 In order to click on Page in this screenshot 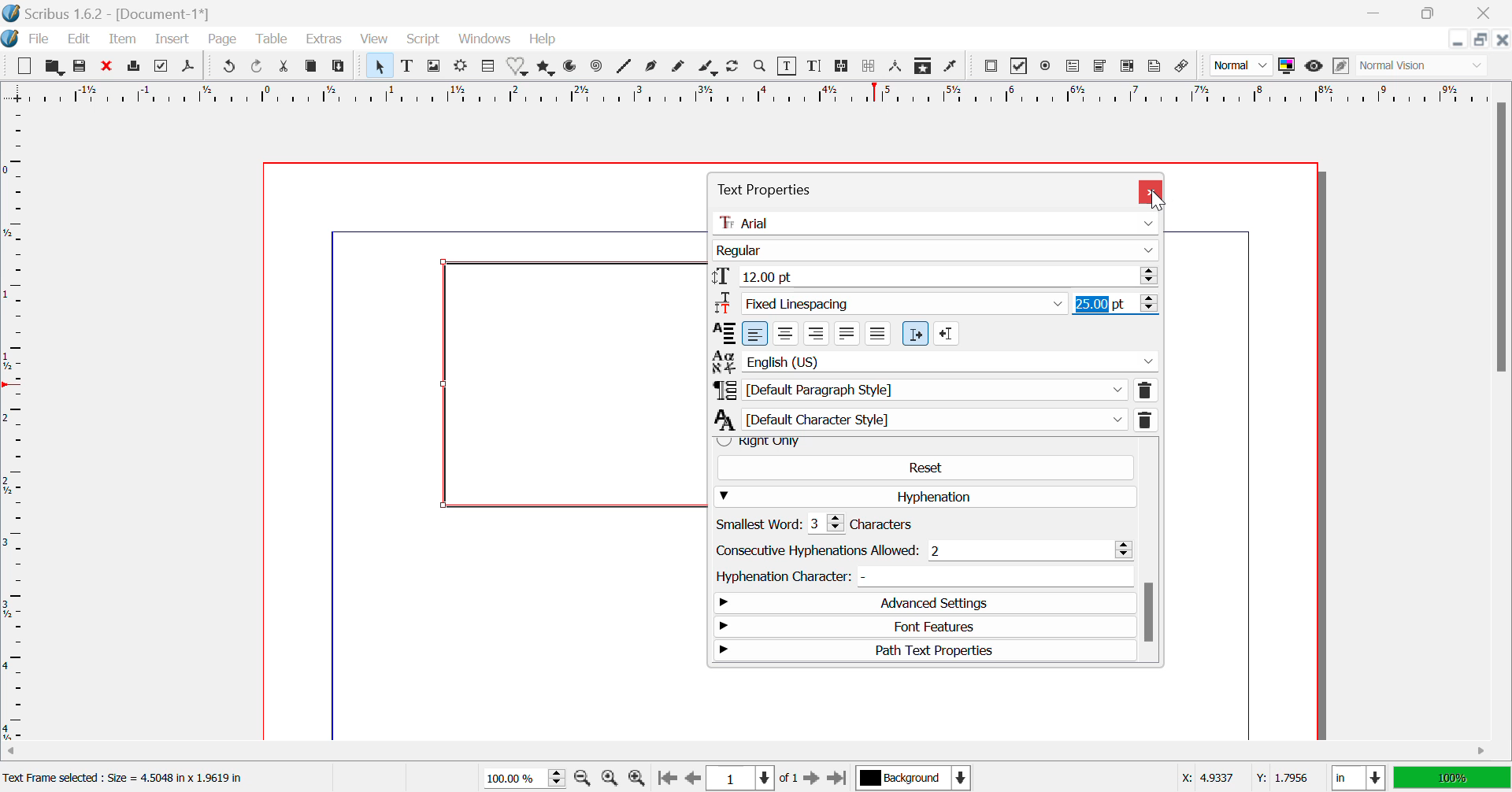, I will do `click(225, 41)`.